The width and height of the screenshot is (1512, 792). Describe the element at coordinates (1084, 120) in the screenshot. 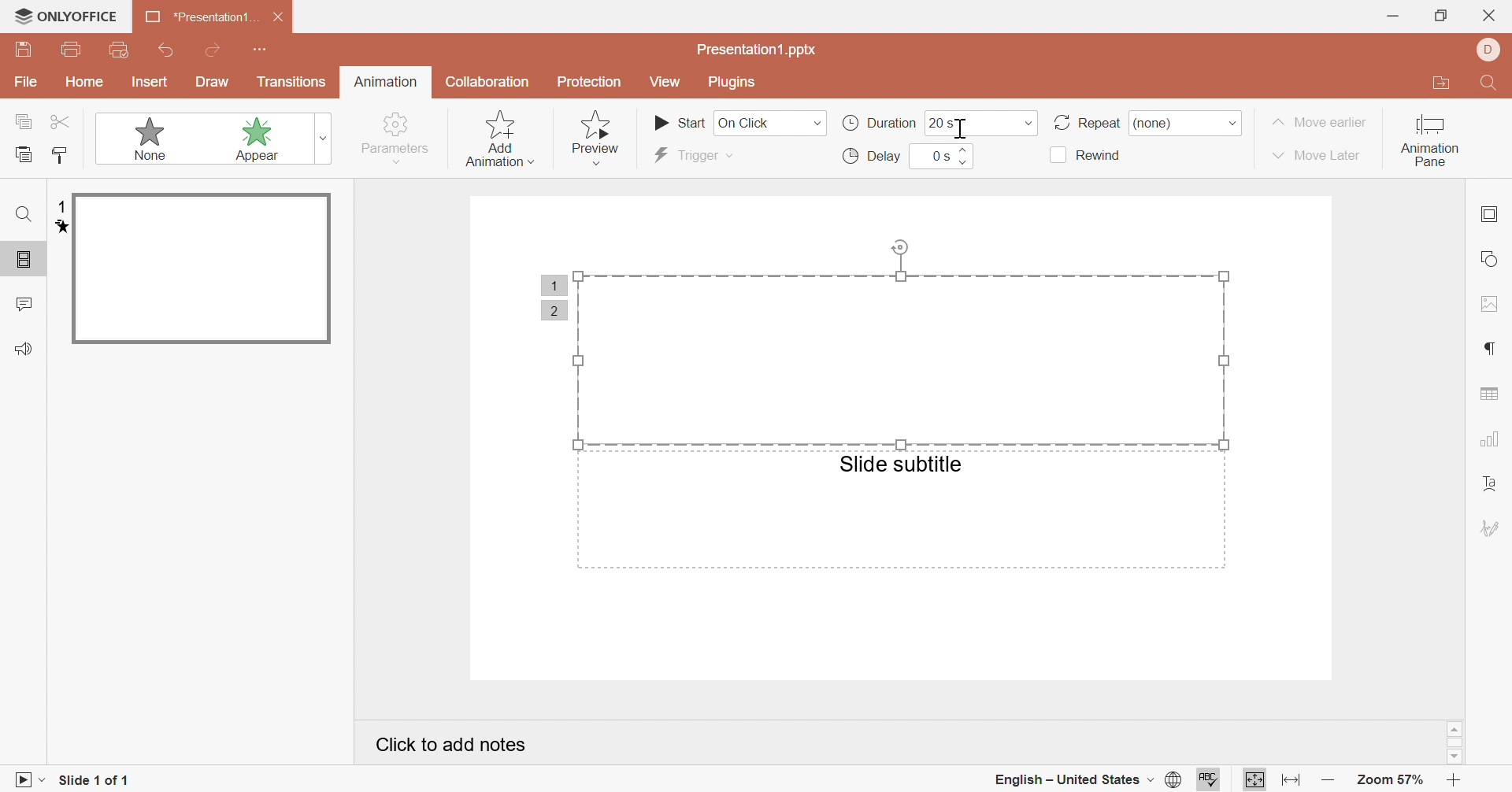

I see `repeat` at that location.